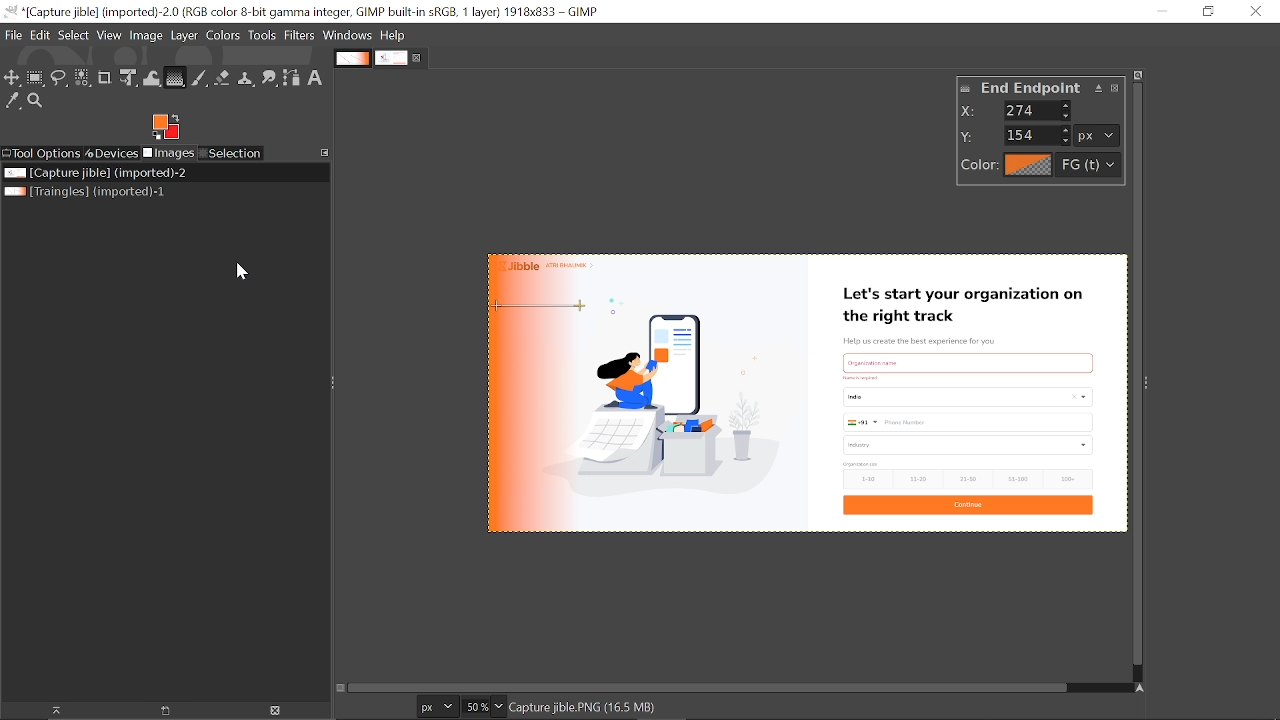 The width and height of the screenshot is (1280, 720). I want to click on zoom image when window size changes, so click(1139, 73).